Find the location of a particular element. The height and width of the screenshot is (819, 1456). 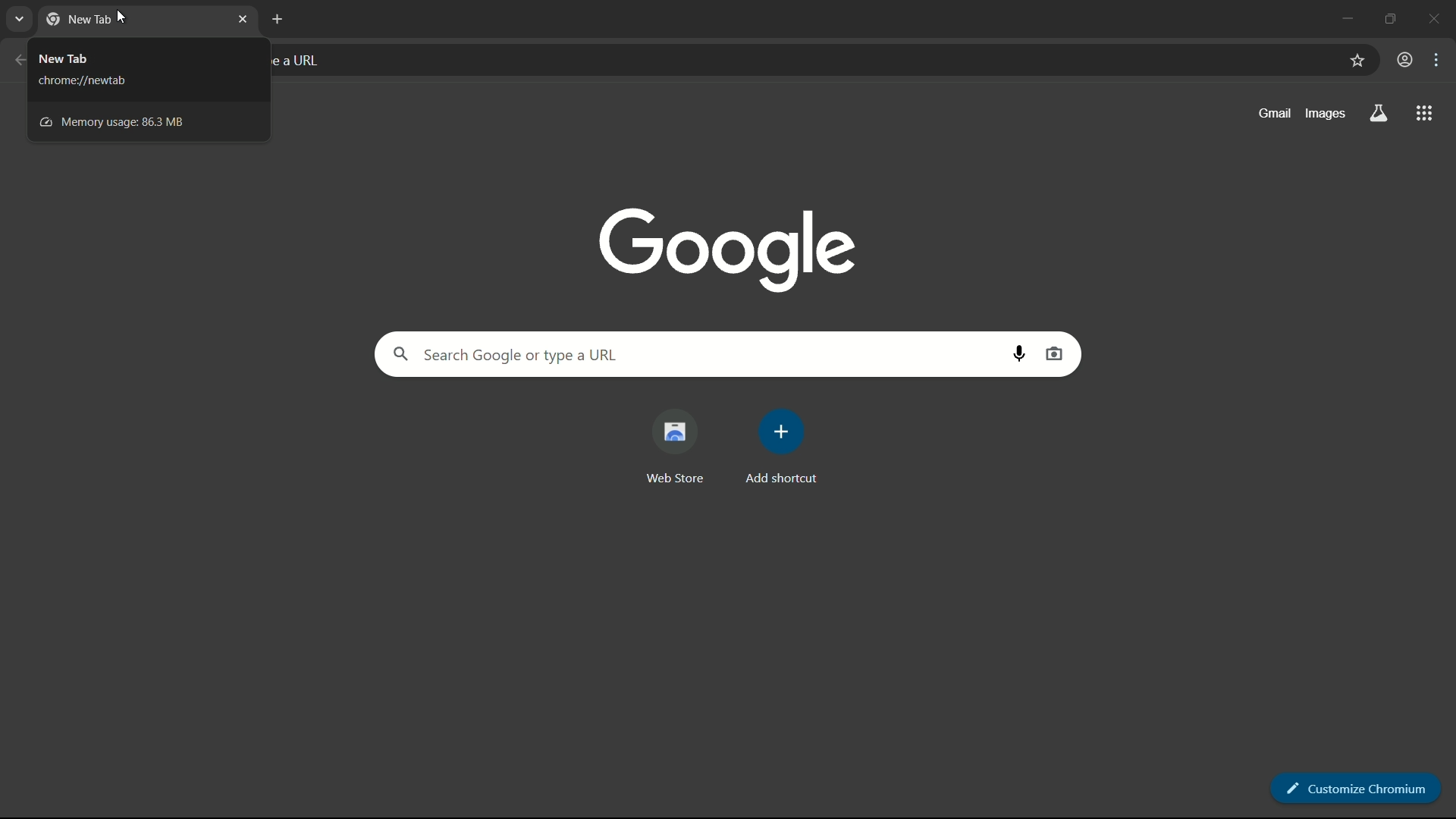

customize is located at coordinates (1439, 61).